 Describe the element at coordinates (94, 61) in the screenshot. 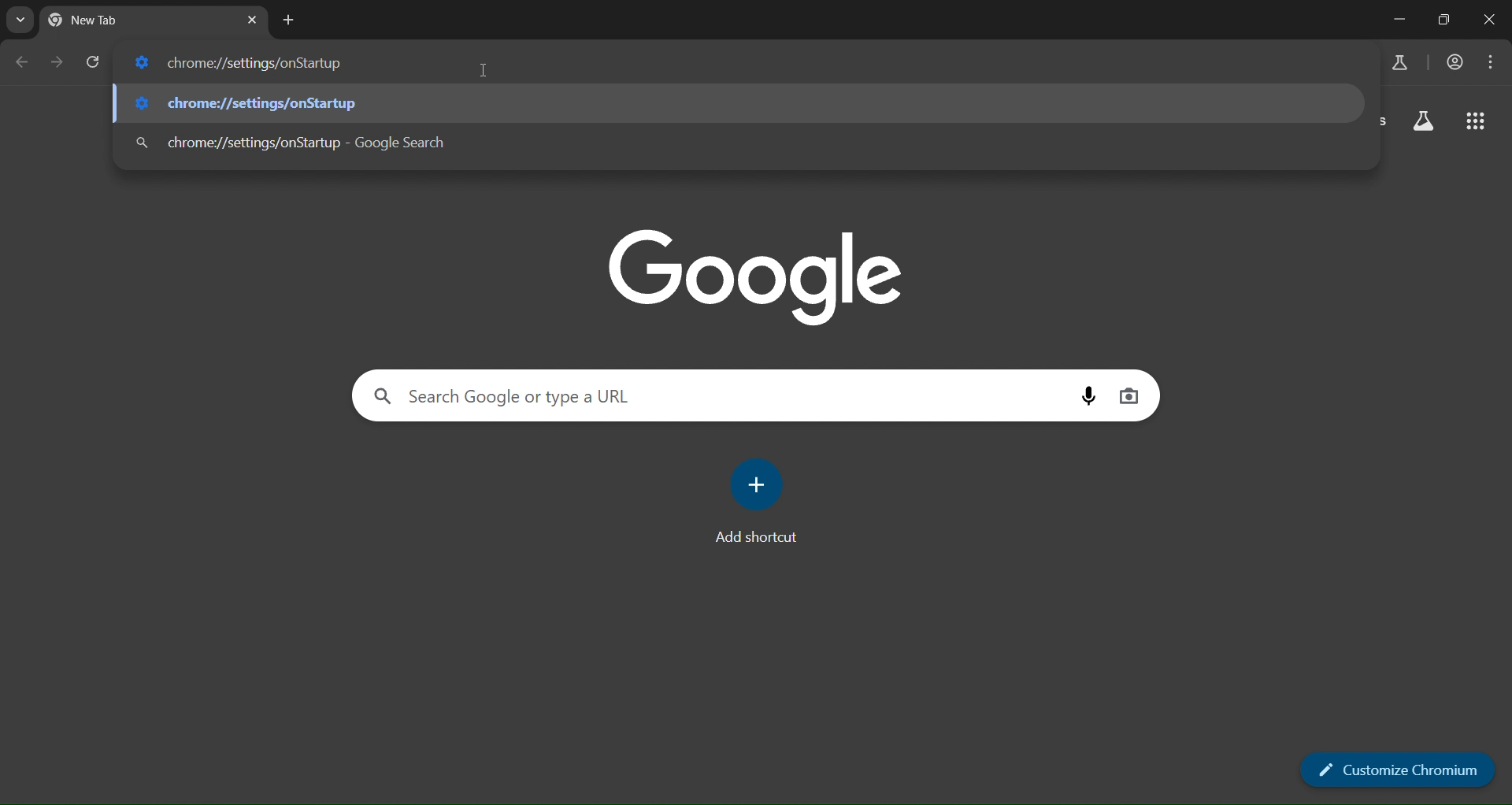

I see `reload page` at that location.